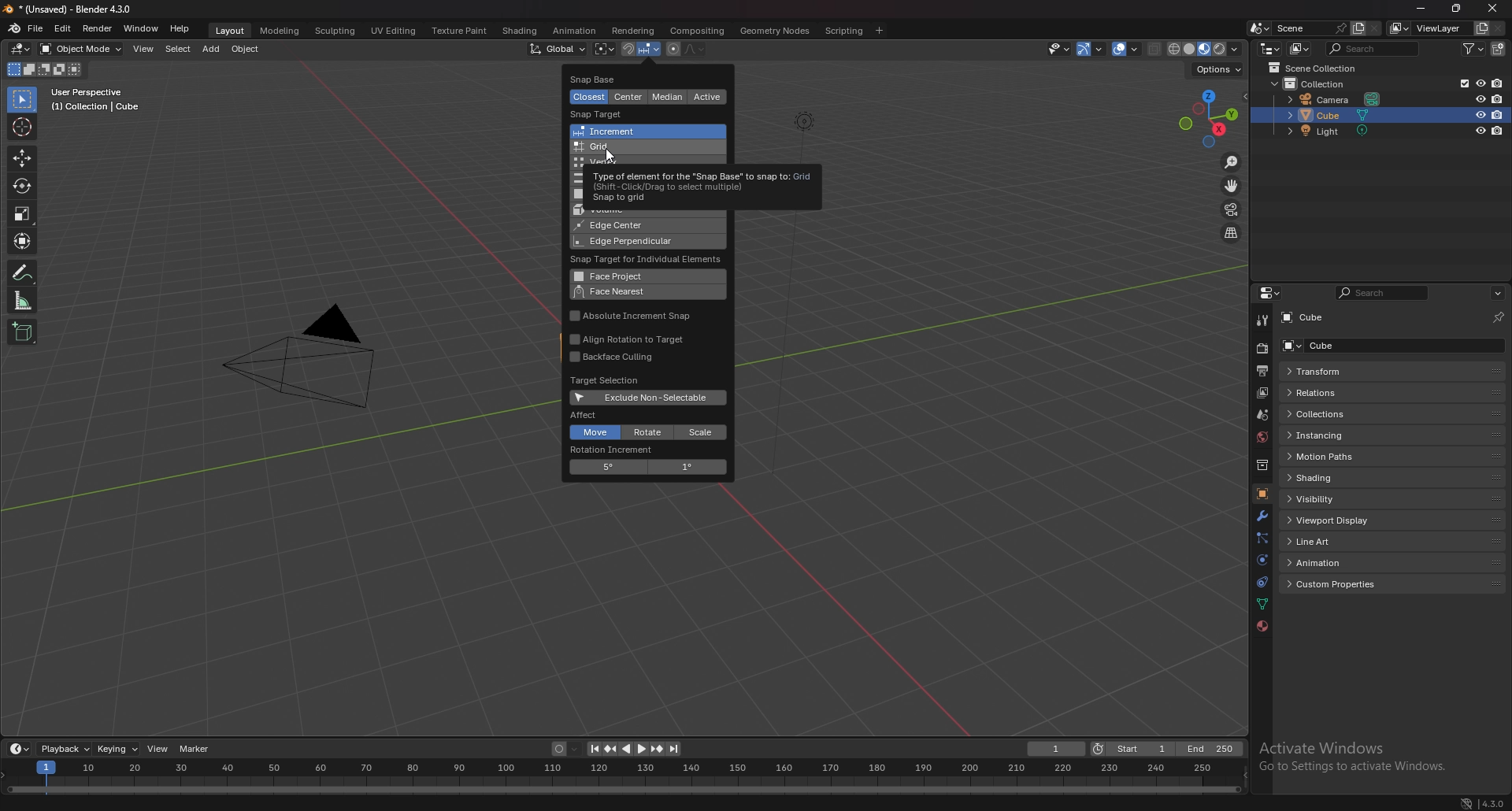 The image size is (1512, 811). I want to click on view, so click(159, 750).